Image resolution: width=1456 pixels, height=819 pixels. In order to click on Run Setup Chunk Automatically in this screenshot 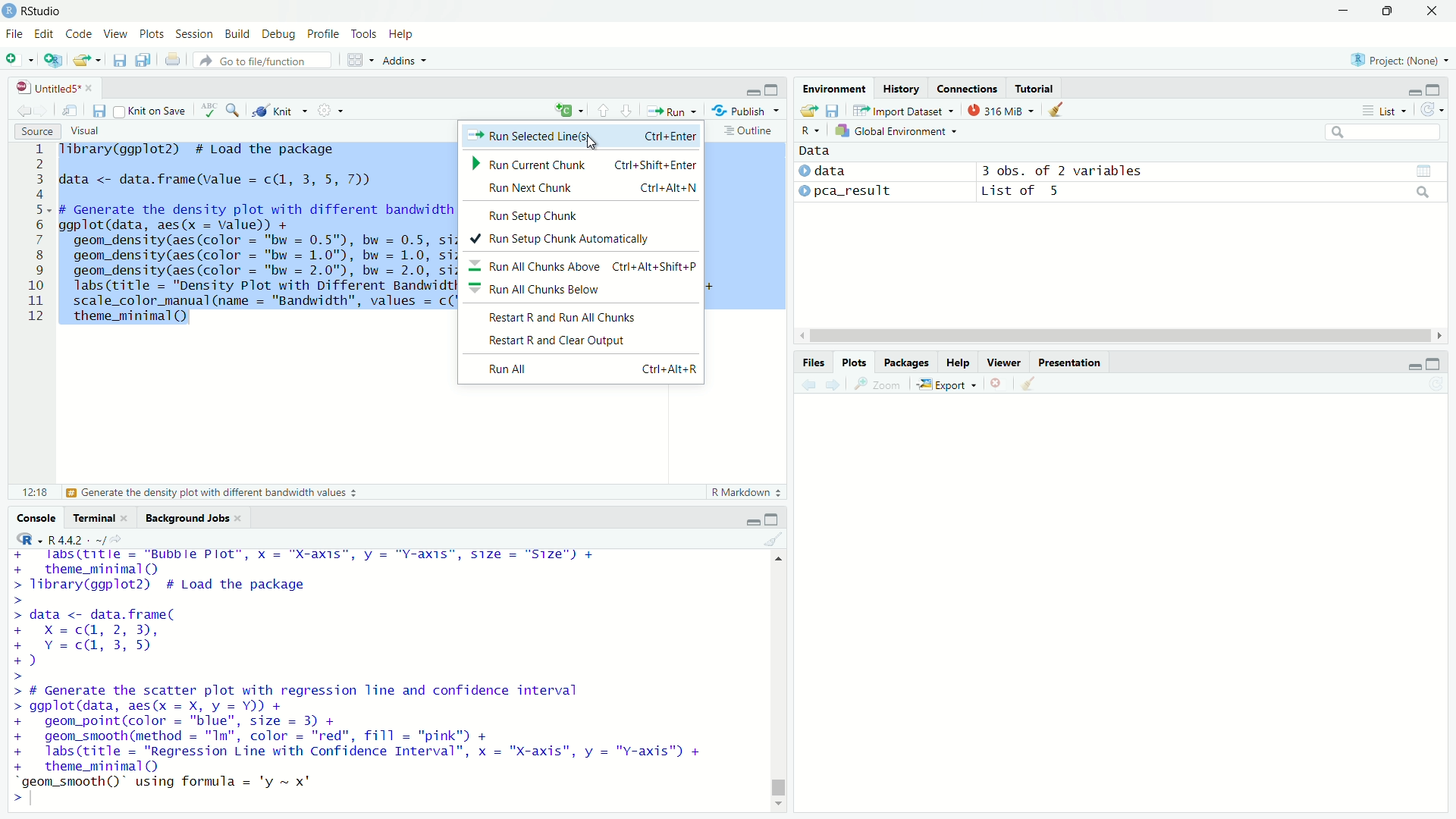, I will do `click(581, 239)`.